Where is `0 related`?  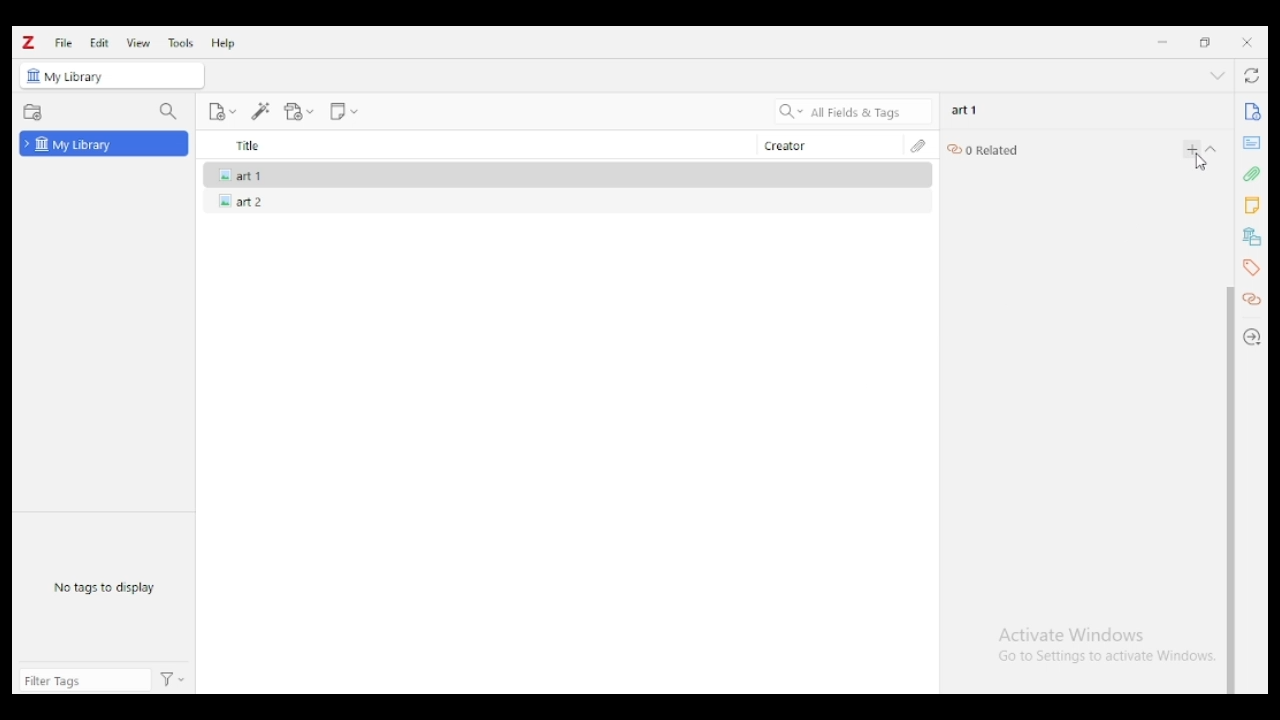 0 related is located at coordinates (984, 149).